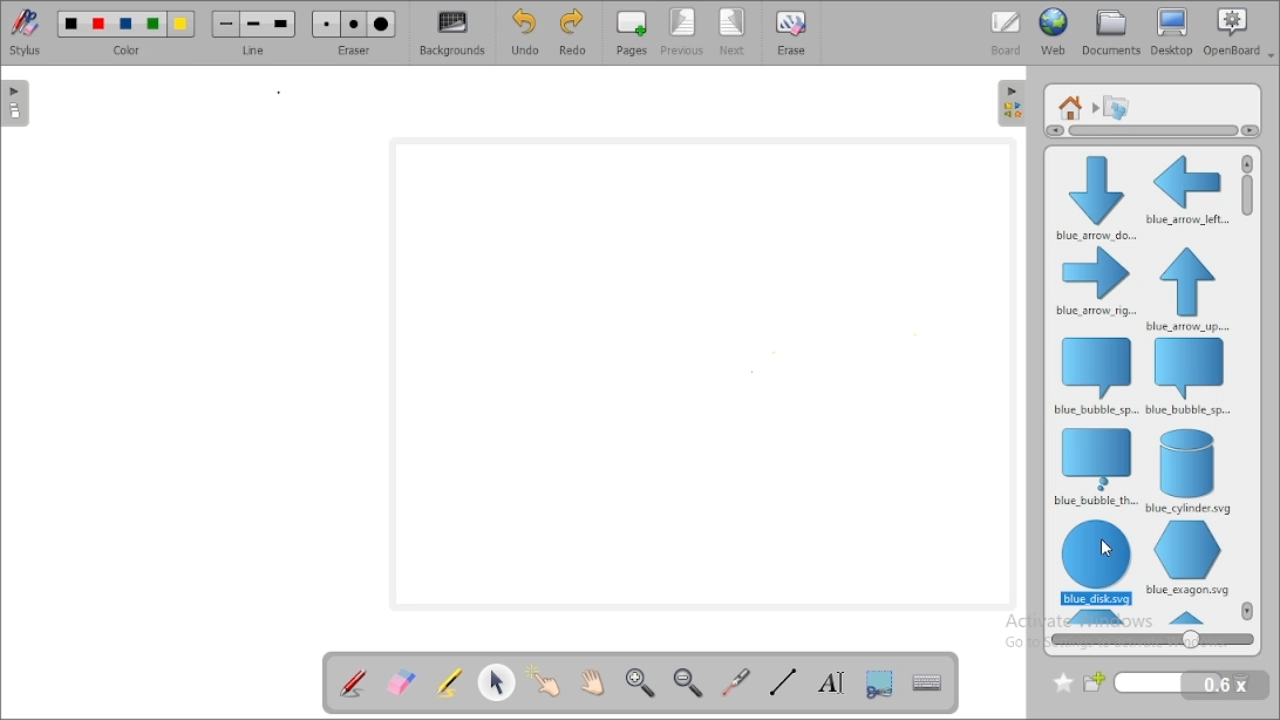 This screenshot has width=1280, height=720. What do you see at coordinates (525, 32) in the screenshot?
I see `undo` at bounding box center [525, 32].